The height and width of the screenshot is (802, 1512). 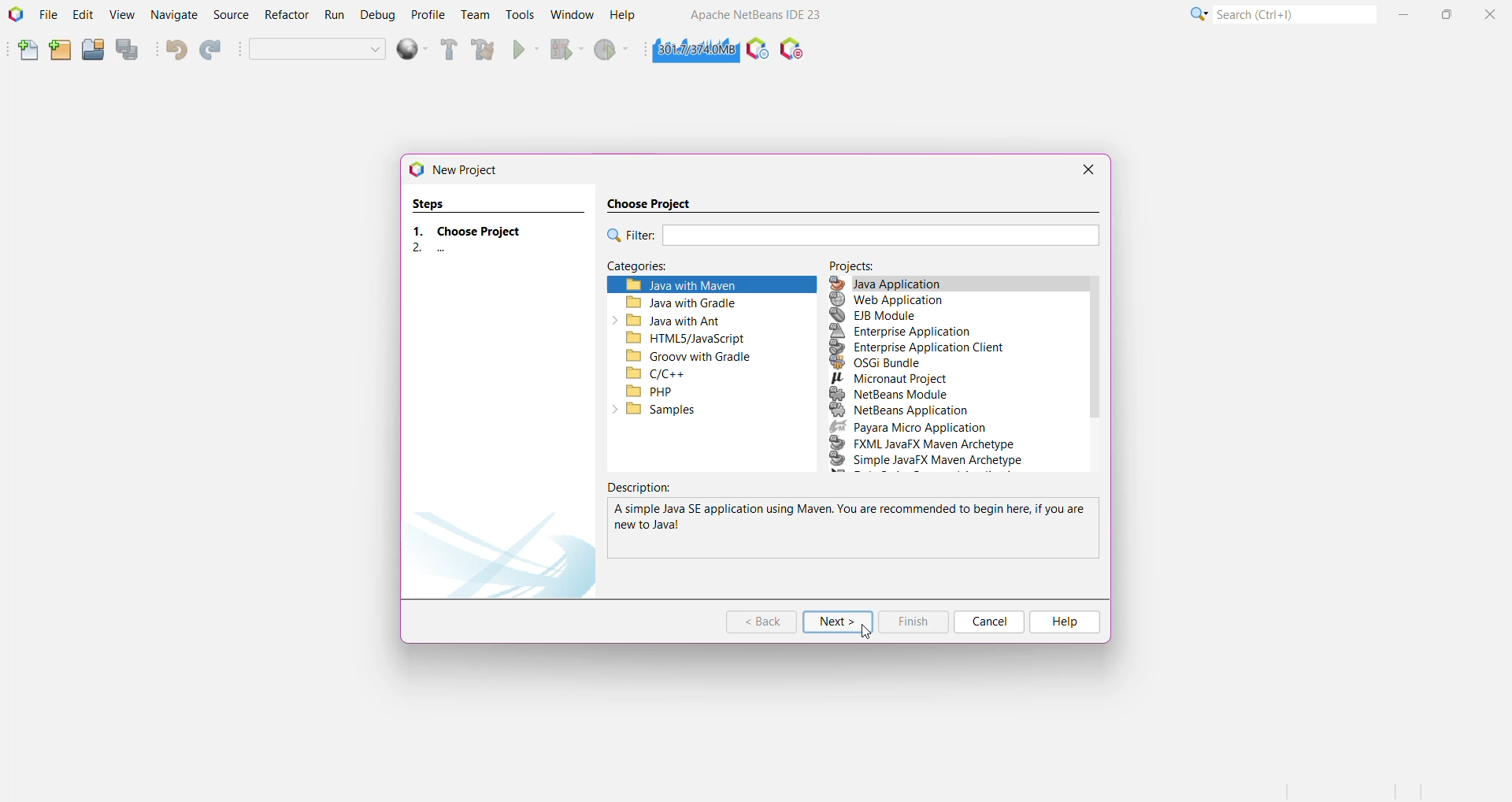 What do you see at coordinates (335, 16) in the screenshot?
I see `Run` at bounding box center [335, 16].